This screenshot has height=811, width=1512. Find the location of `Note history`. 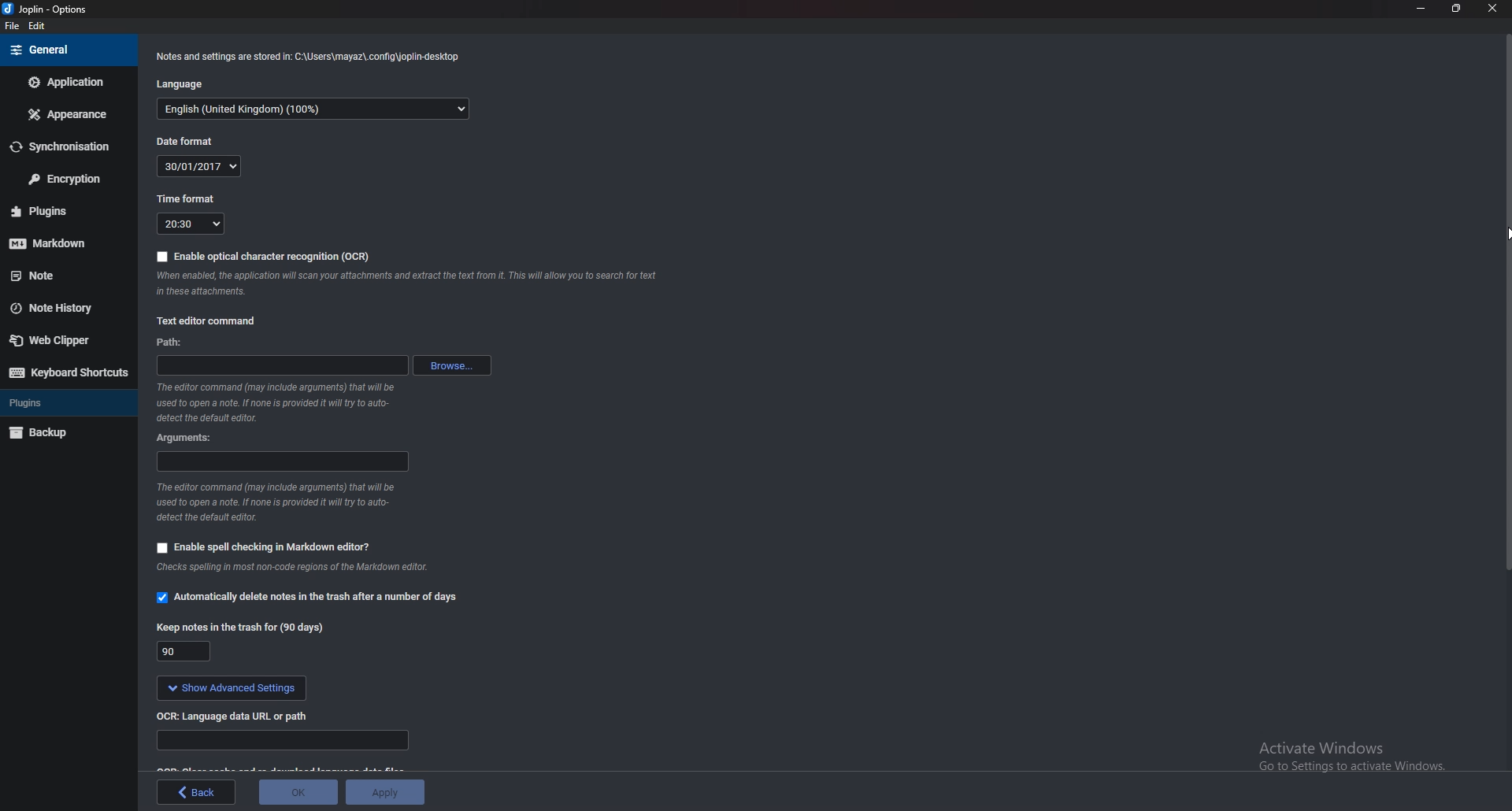

Note history is located at coordinates (58, 308).